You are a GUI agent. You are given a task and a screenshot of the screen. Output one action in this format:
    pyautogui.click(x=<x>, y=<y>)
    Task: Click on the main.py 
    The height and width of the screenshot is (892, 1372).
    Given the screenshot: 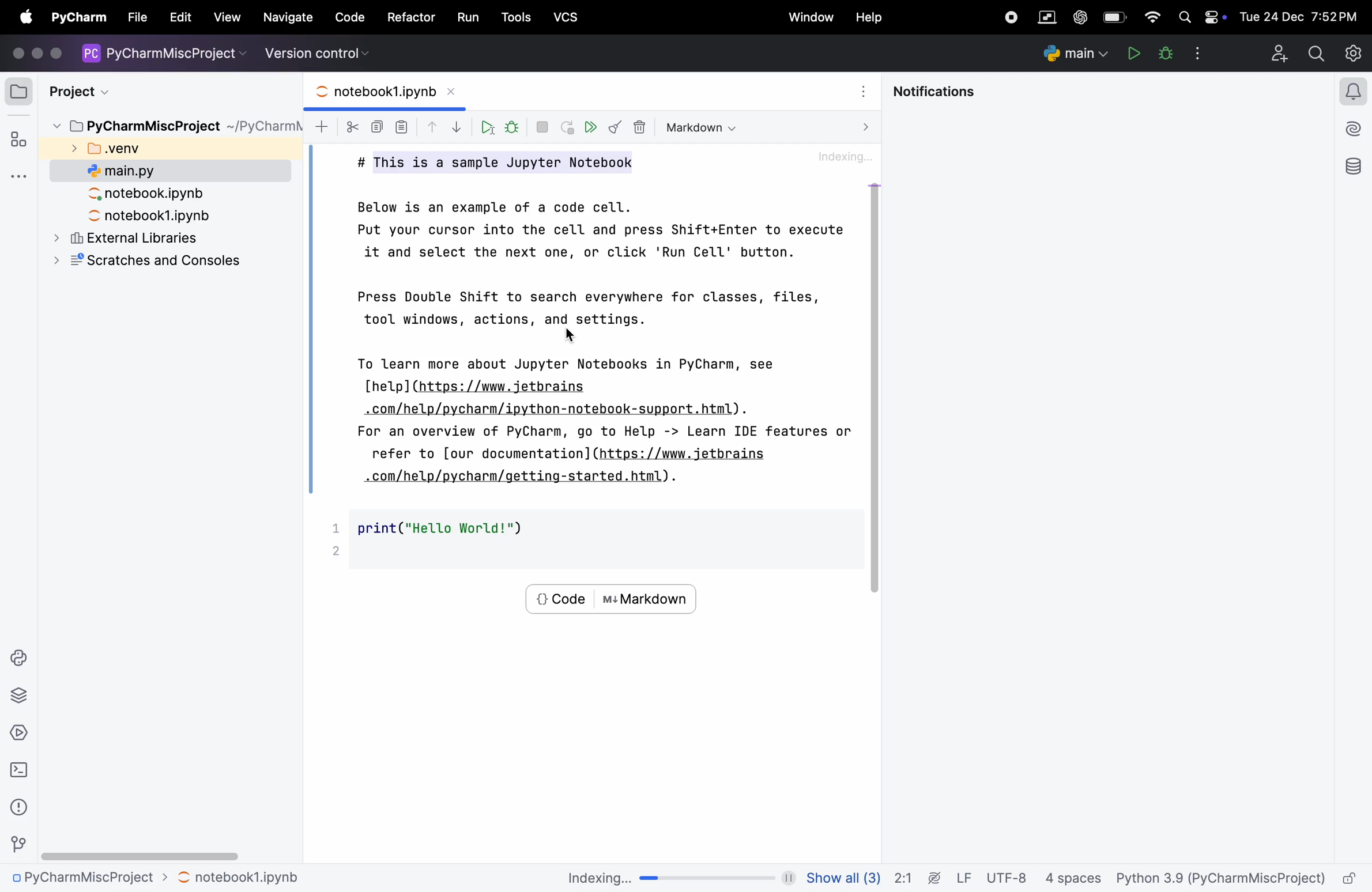 What is the action you would take?
    pyautogui.click(x=149, y=169)
    